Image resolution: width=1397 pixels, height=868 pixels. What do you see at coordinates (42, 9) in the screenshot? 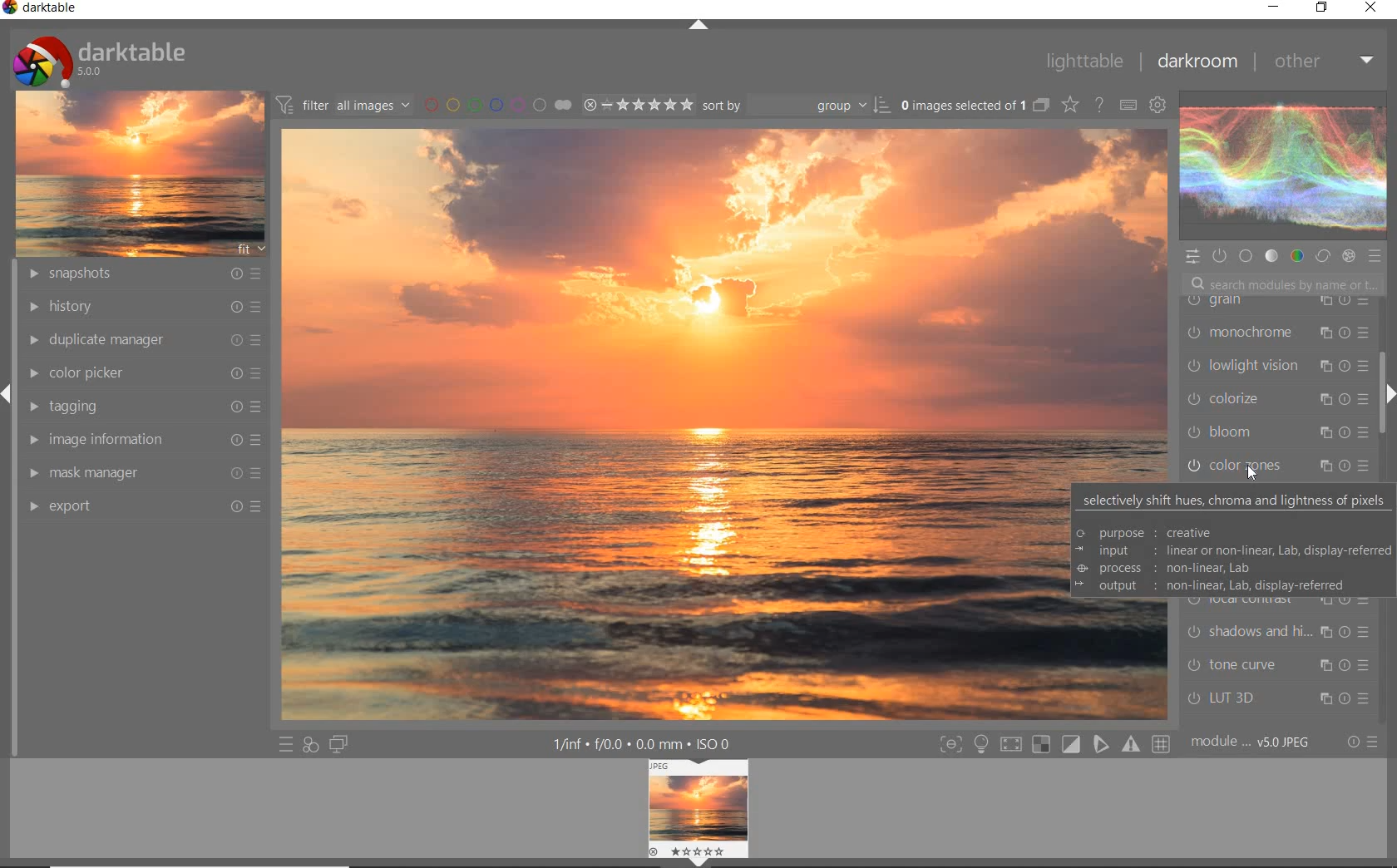
I see `darktable` at bounding box center [42, 9].